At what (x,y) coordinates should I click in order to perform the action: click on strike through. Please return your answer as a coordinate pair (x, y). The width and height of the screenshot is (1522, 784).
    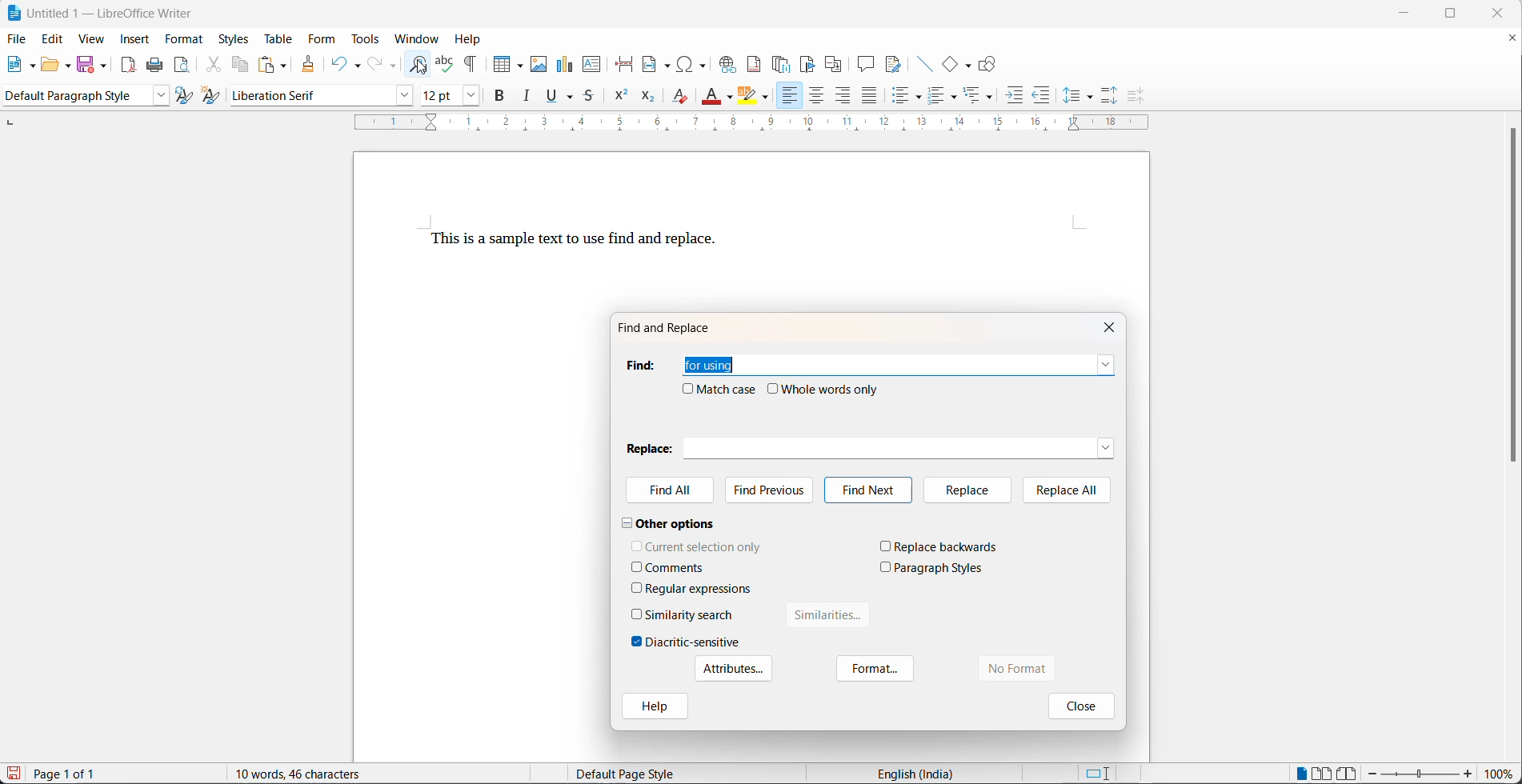
    Looking at the image, I should click on (591, 98).